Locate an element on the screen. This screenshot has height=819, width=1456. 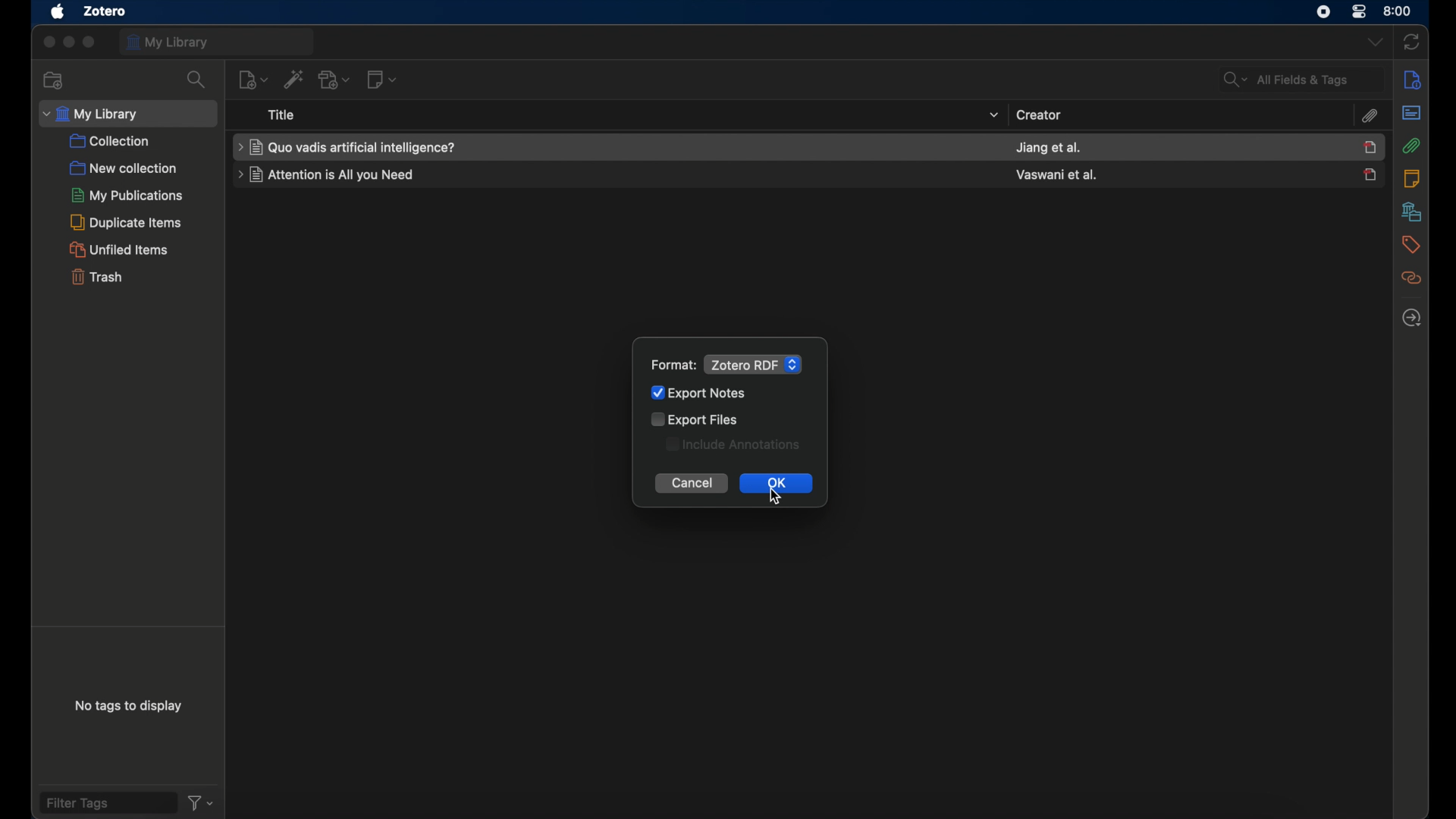
unified items is located at coordinates (118, 249).